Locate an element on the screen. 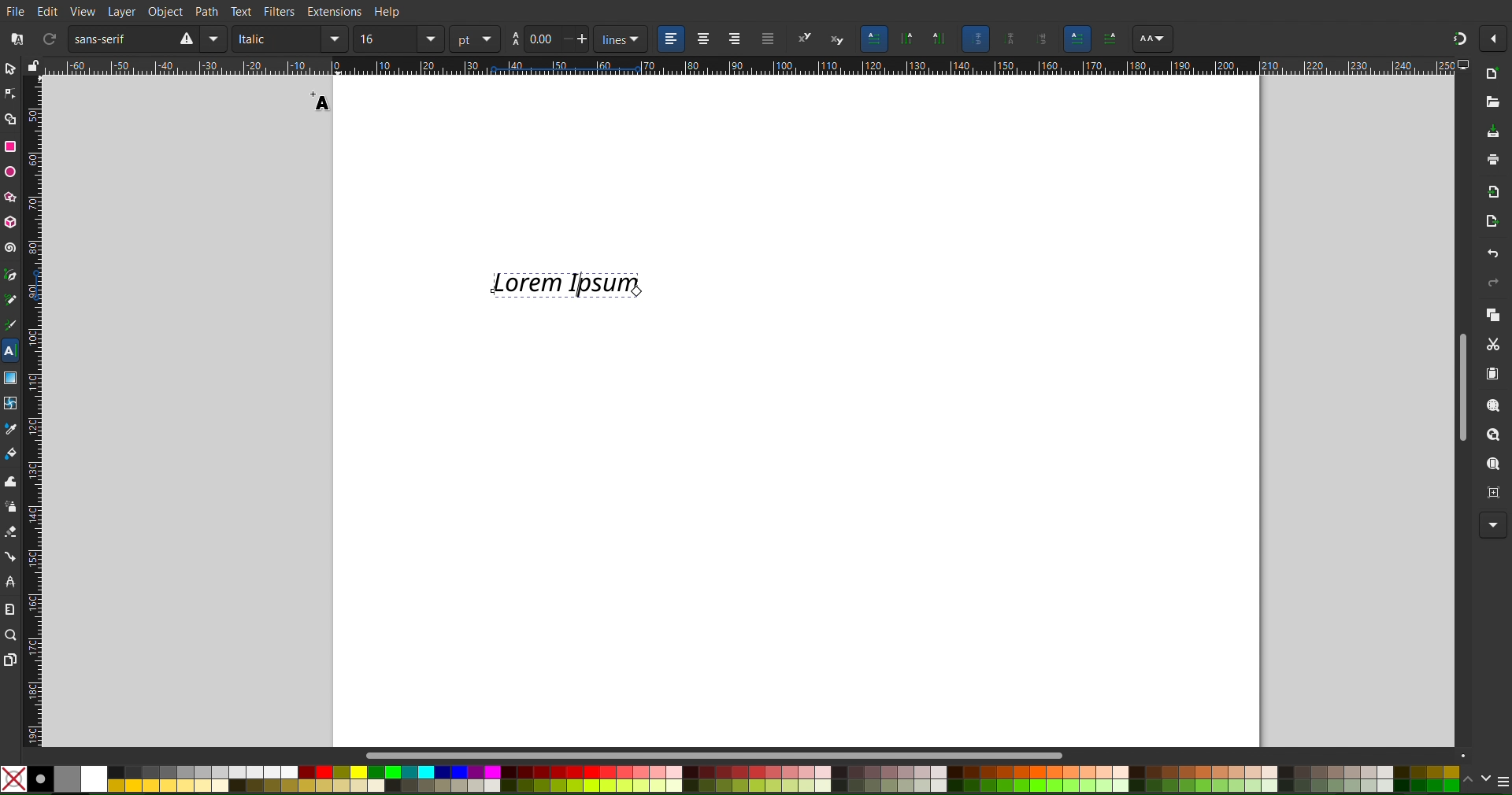 The height and width of the screenshot is (795, 1512). Sideways glyphs orientation is located at coordinates (1045, 39).